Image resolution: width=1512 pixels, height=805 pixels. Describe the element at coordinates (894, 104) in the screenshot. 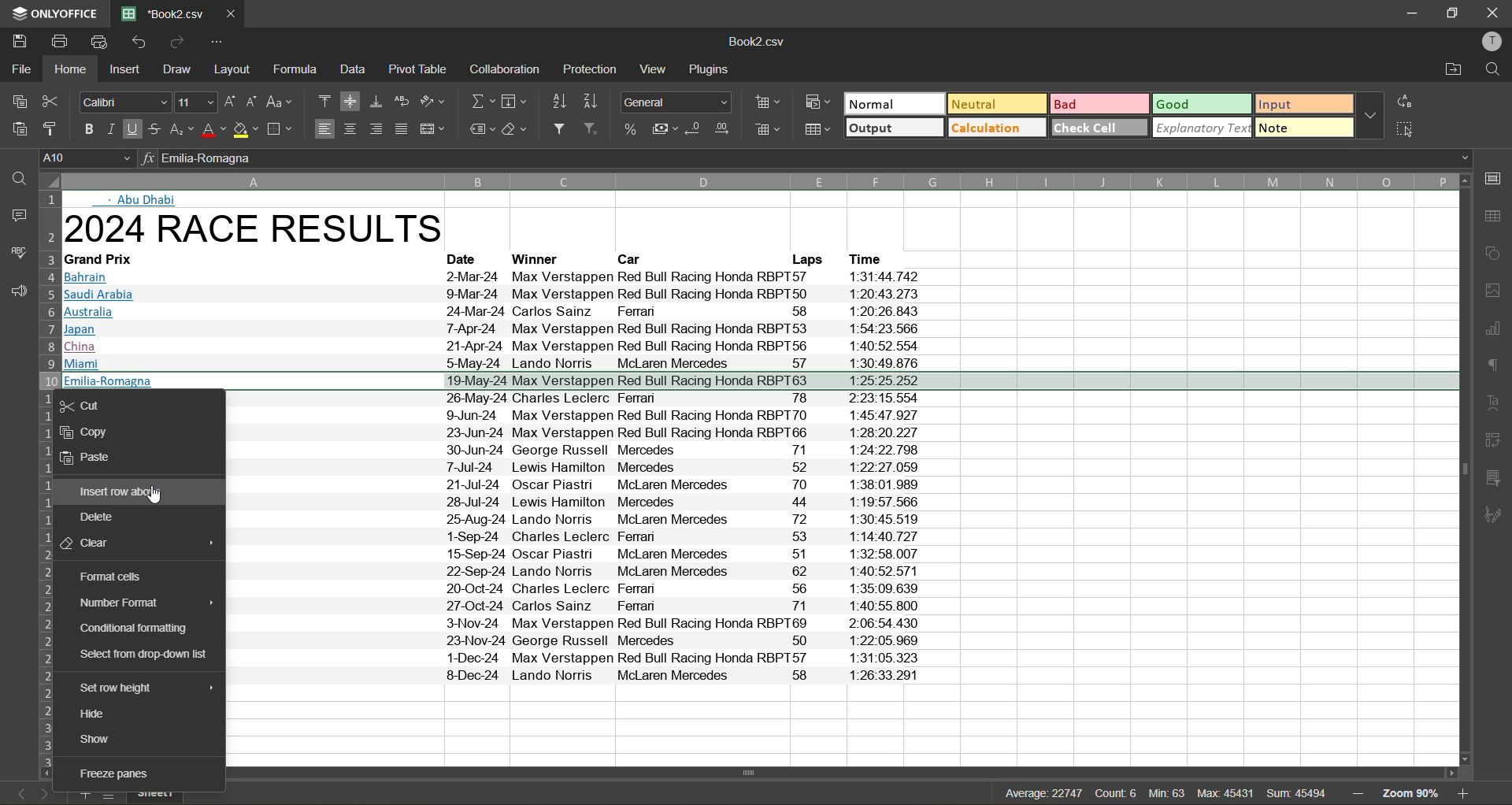

I see `normal` at that location.